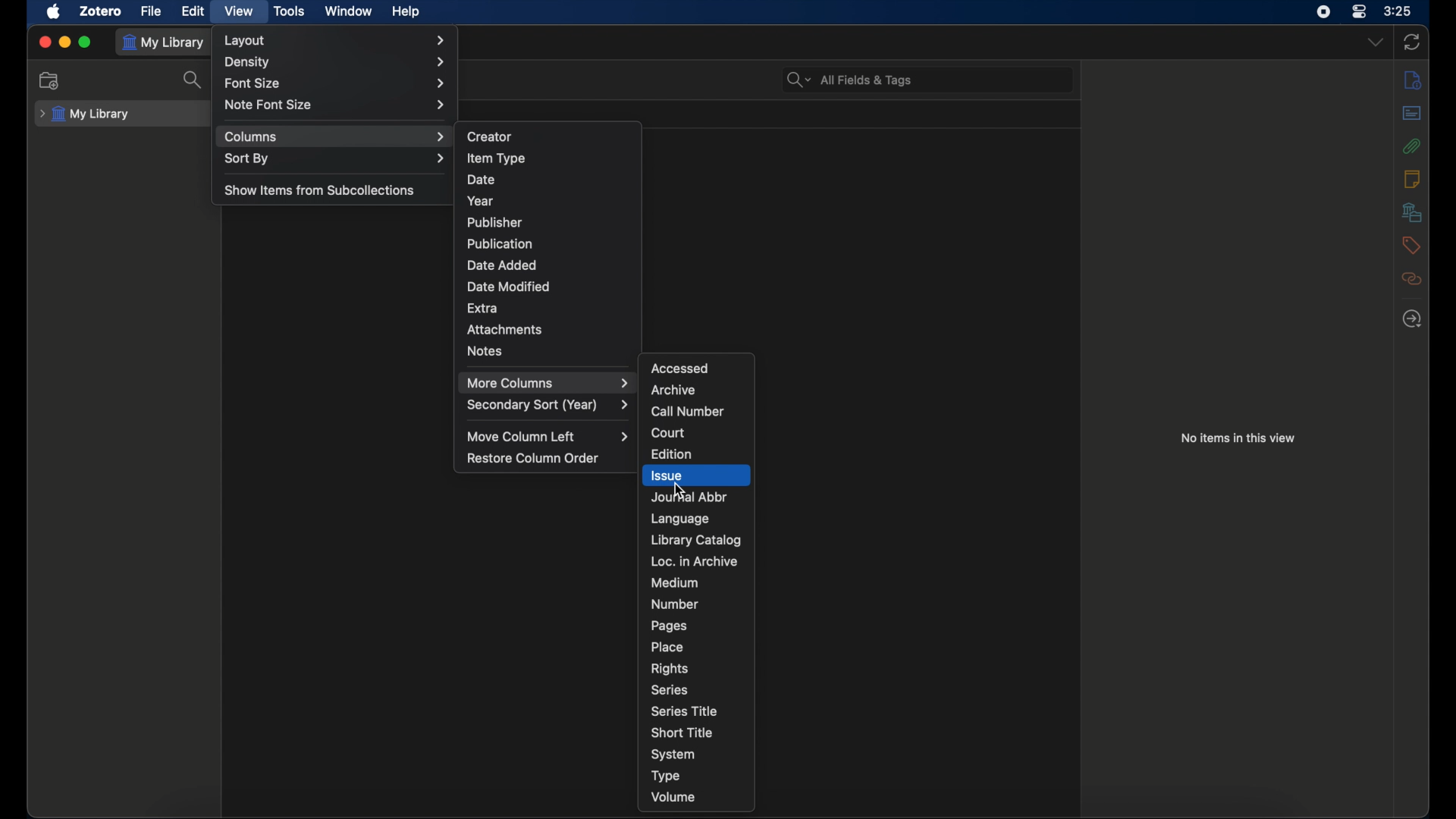  Describe the element at coordinates (194, 80) in the screenshot. I see `search` at that location.